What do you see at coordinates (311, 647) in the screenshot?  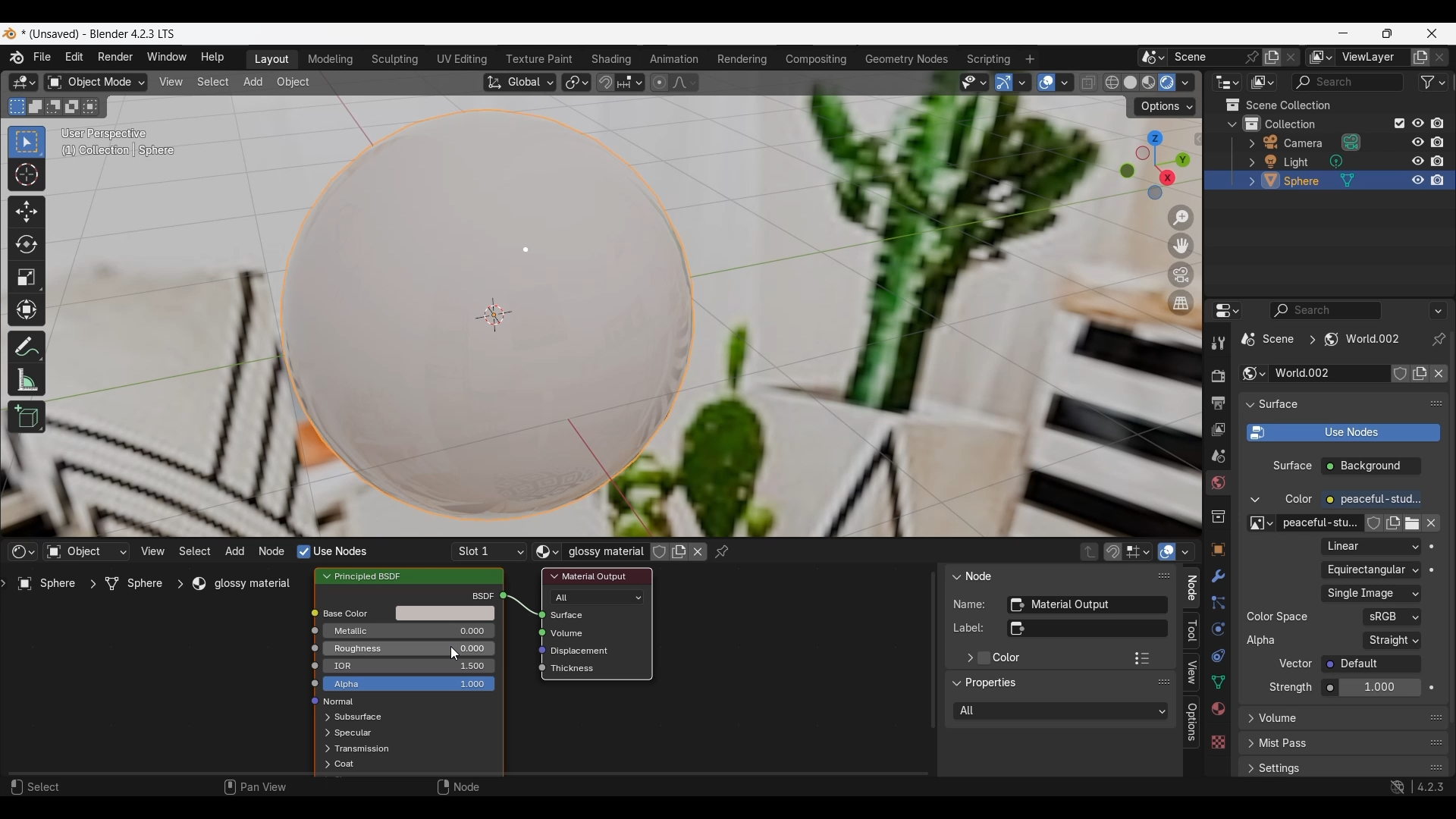 I see `icon` at bounding box center [311, 647].